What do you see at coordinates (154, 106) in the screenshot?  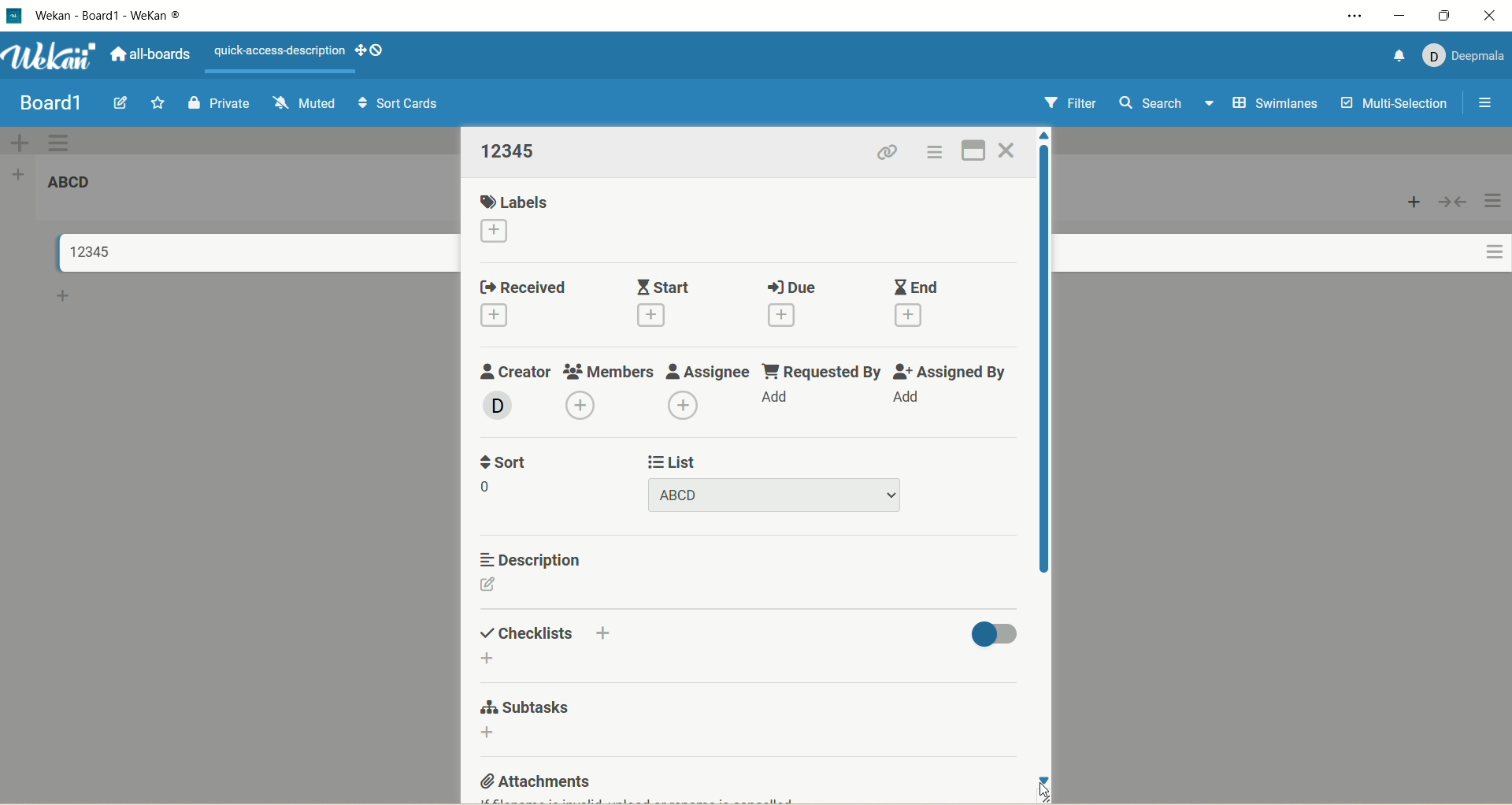 I see `favorite` at bounding box center [154, 106].